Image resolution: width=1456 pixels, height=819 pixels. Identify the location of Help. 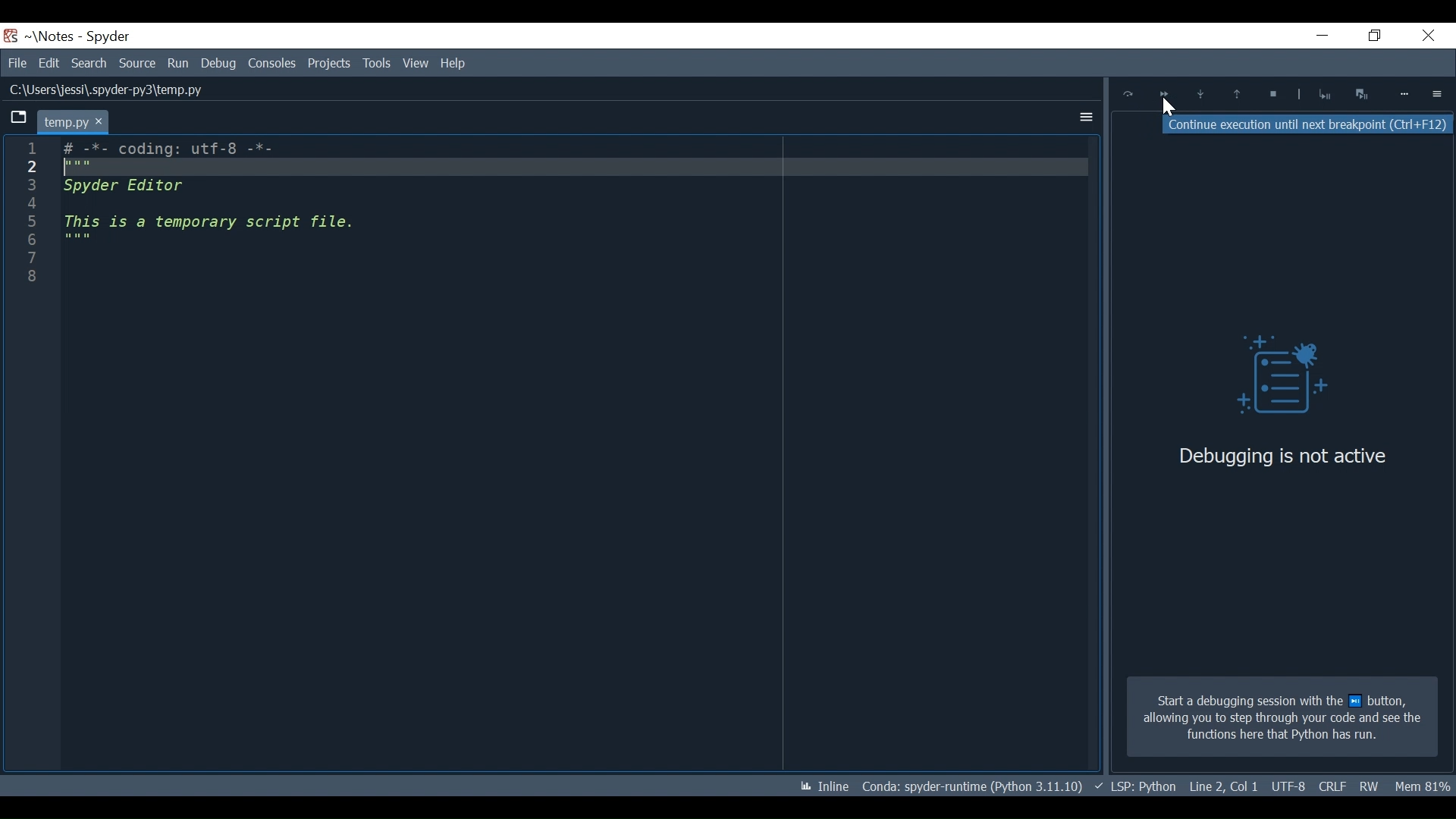
(455, 62).